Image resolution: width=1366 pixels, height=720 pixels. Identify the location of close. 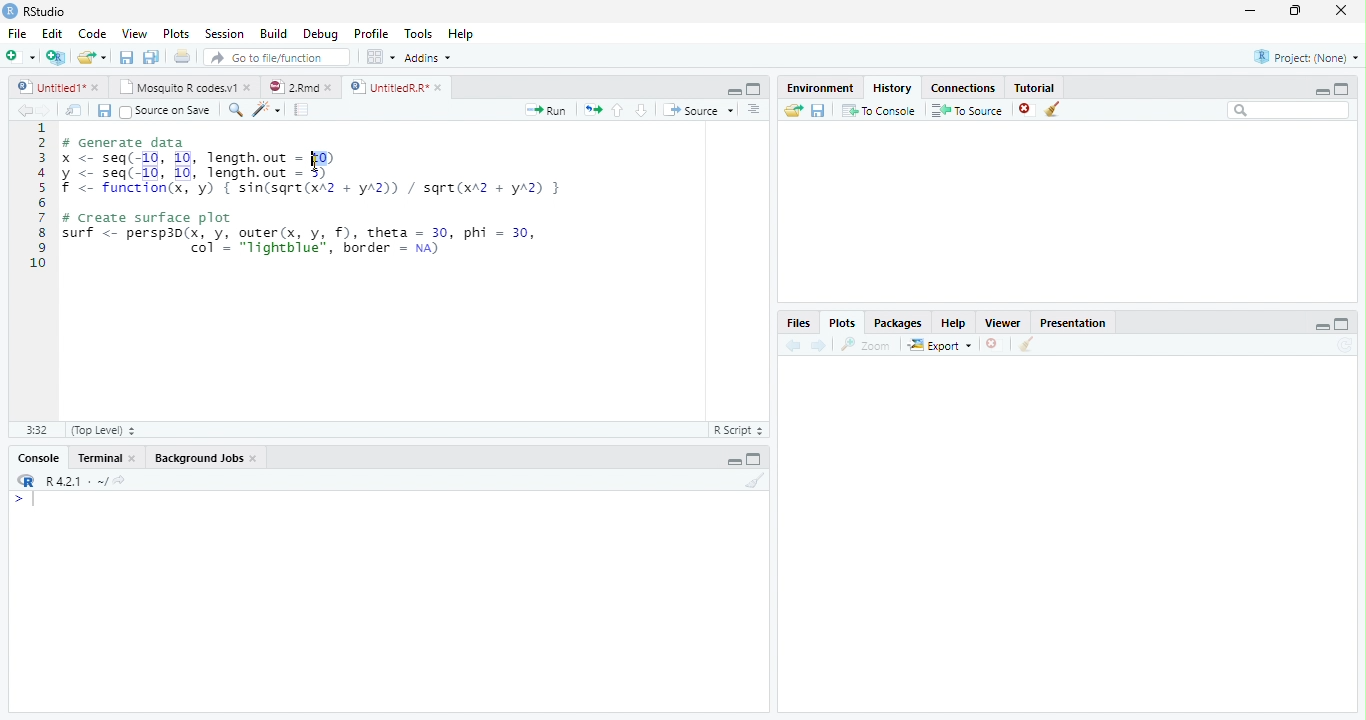
(1341, 10).